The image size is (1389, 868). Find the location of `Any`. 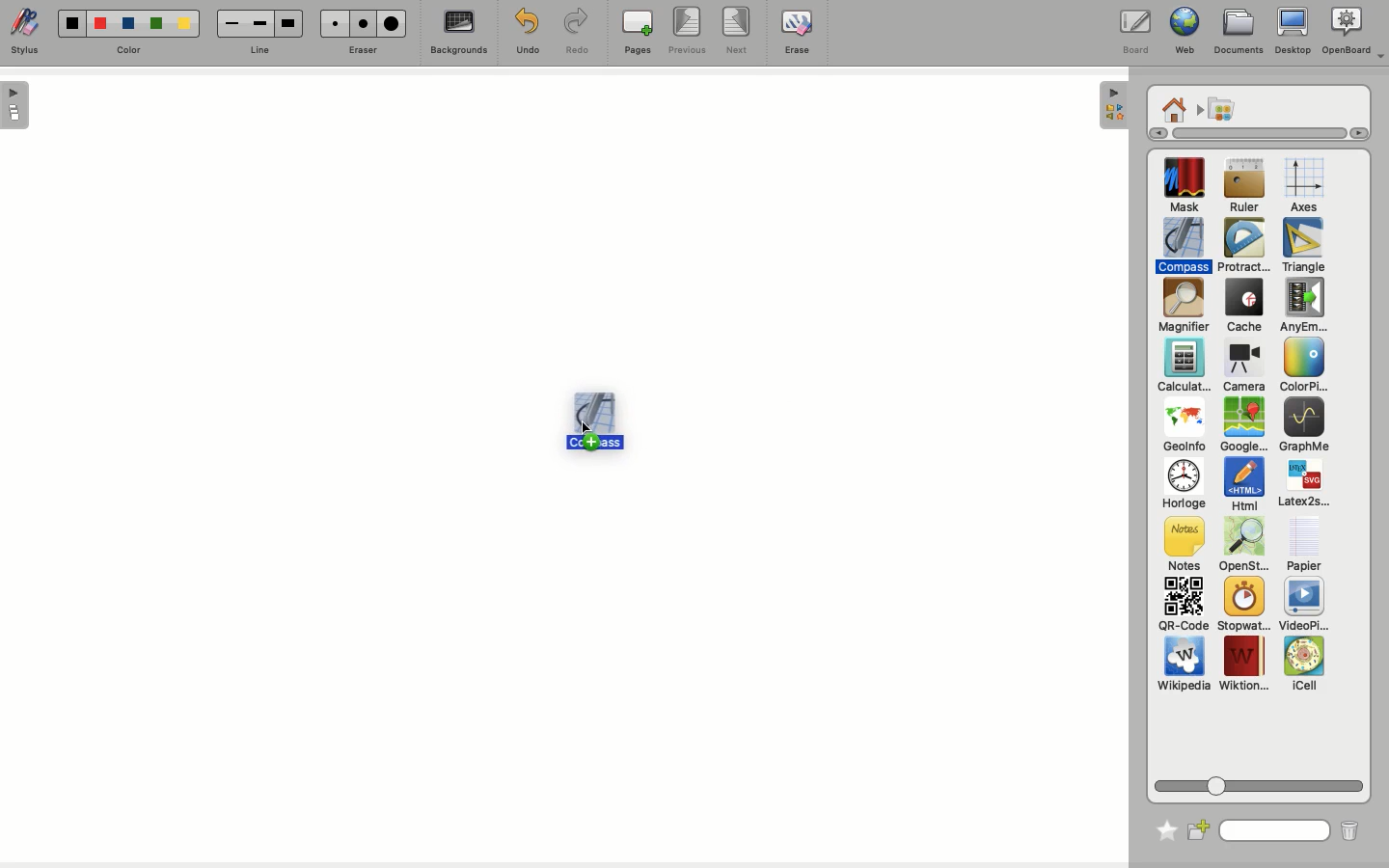

Any is located at coordinates (1303, 306).